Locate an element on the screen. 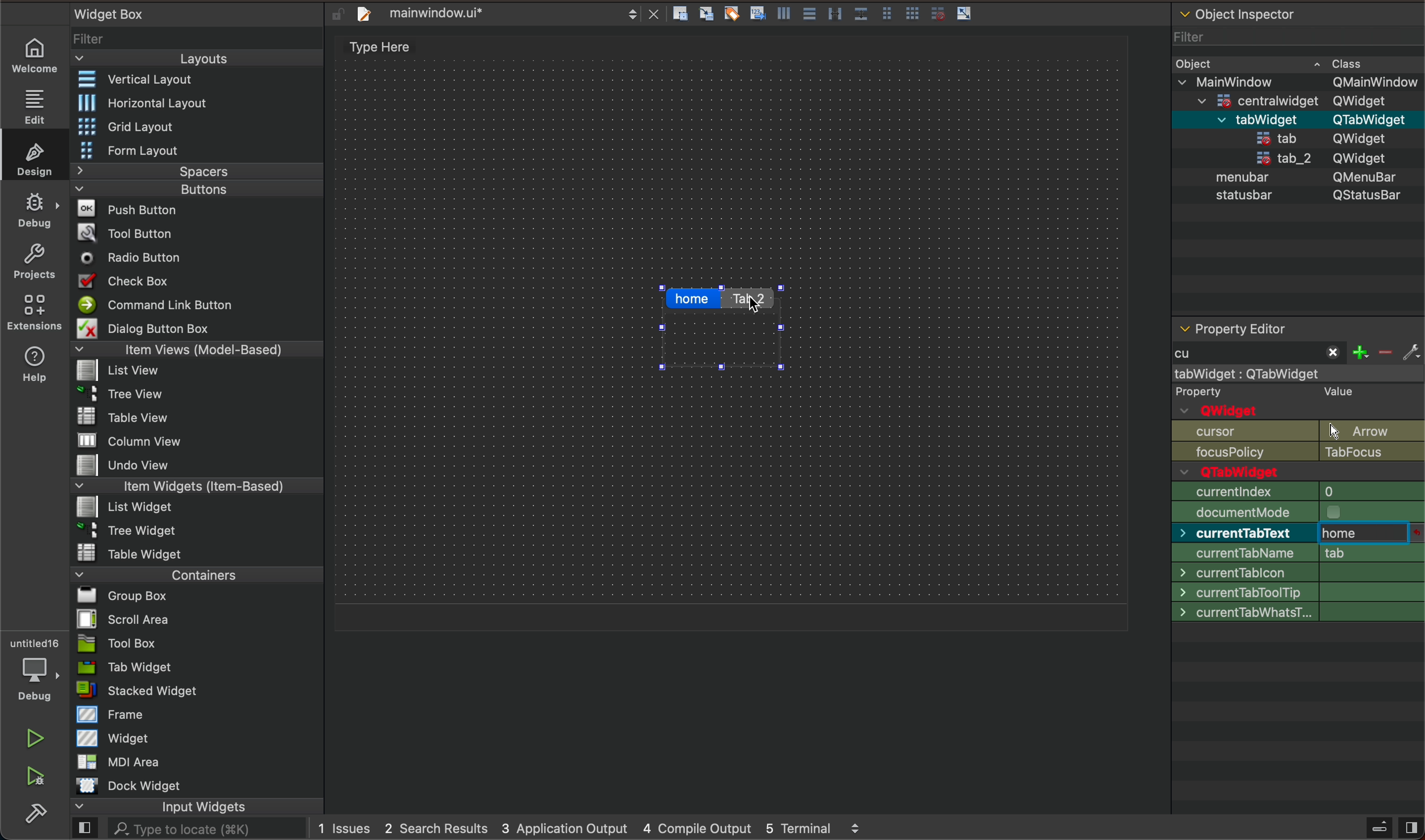 This screenshot has width=1425, height=840. statusbar is located at coordinates (1247, 198).